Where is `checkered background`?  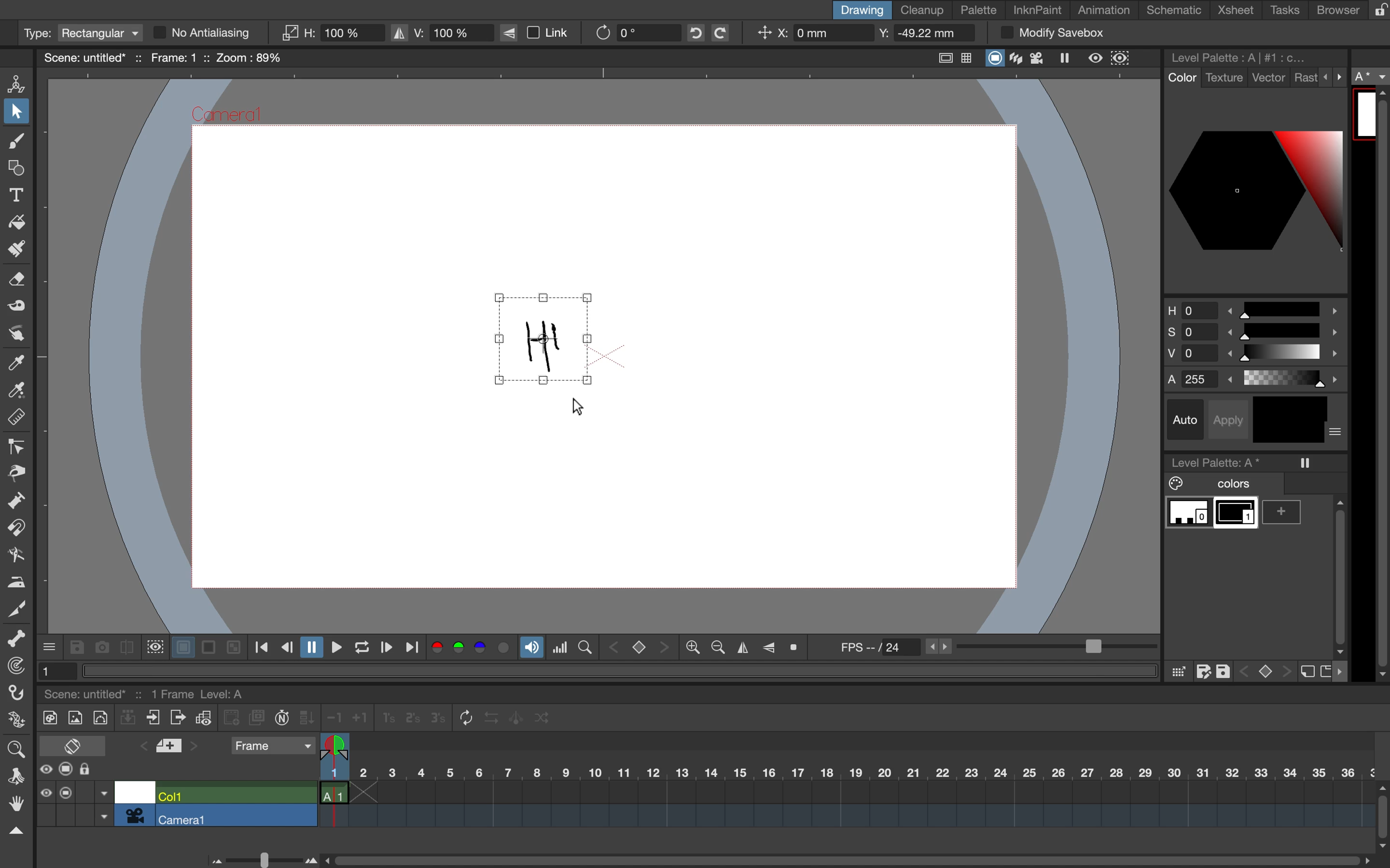
checkered background is located at coordinates (232, 646).